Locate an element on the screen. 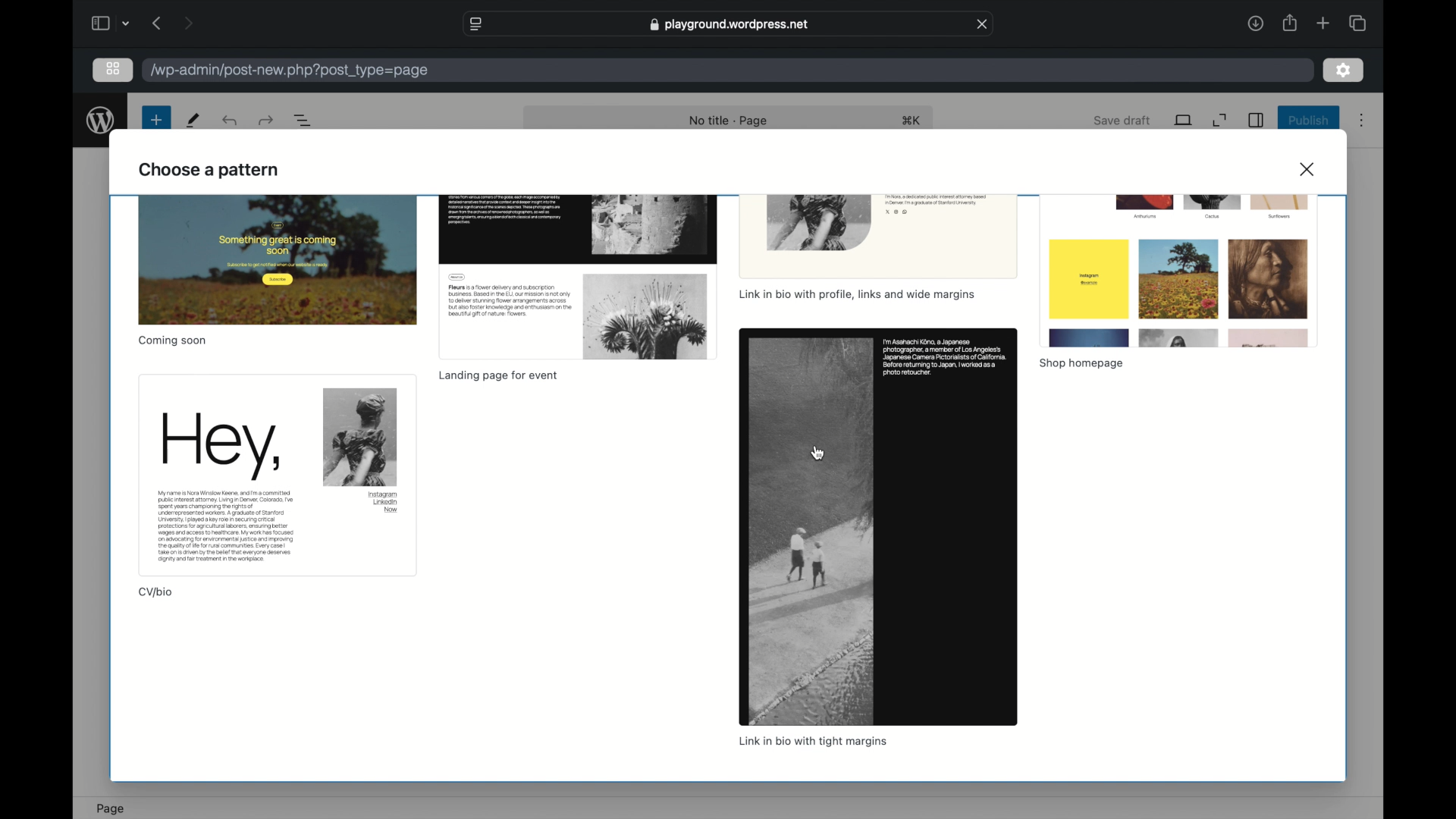 This screenshot has height=819, width=1456. link in bio with profile is located at coordinates (855, 296).